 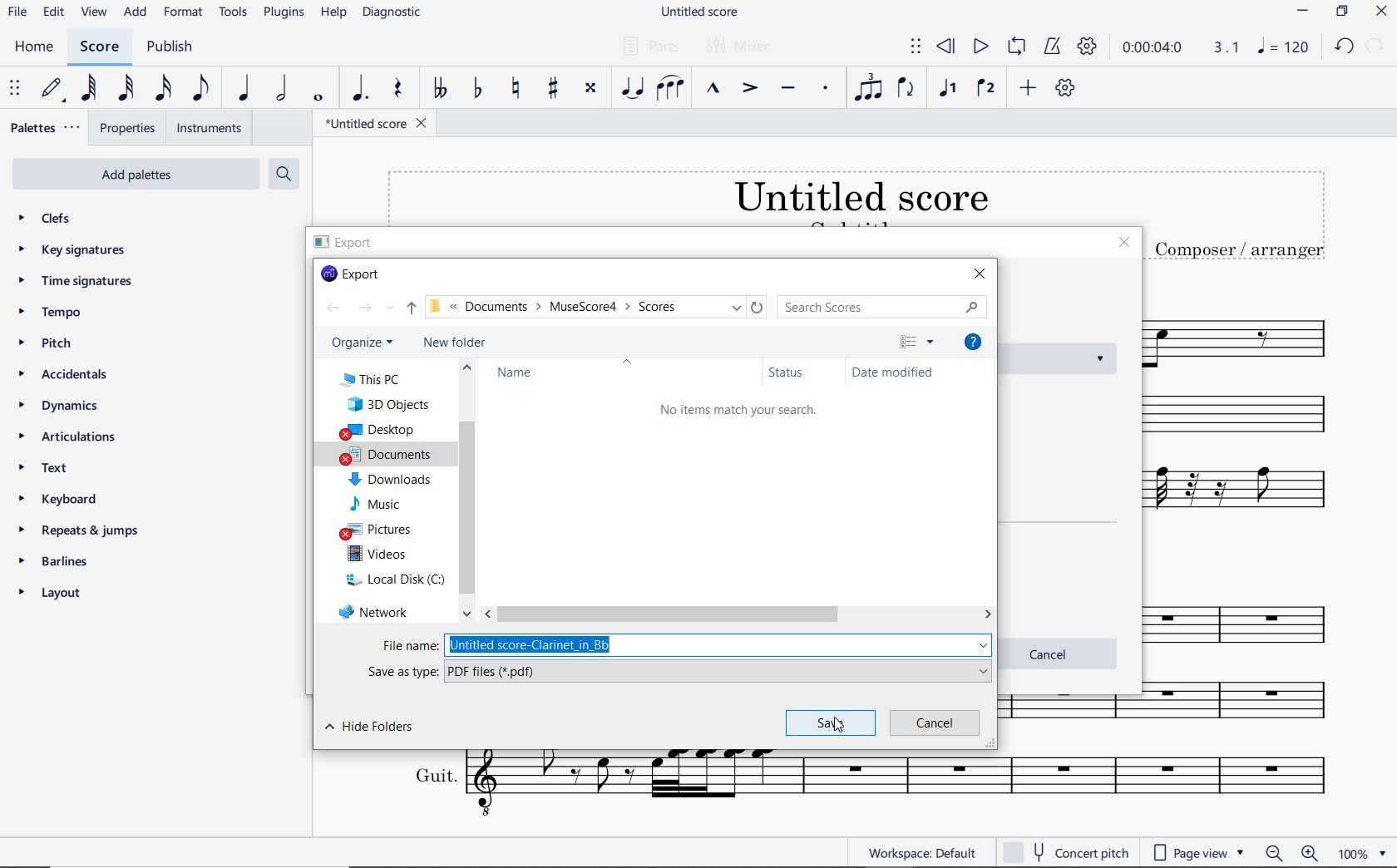 What do you see at coordinates (234, 13) in the screenshot?
I see `TOOLS` at bounding box center [234, 13].